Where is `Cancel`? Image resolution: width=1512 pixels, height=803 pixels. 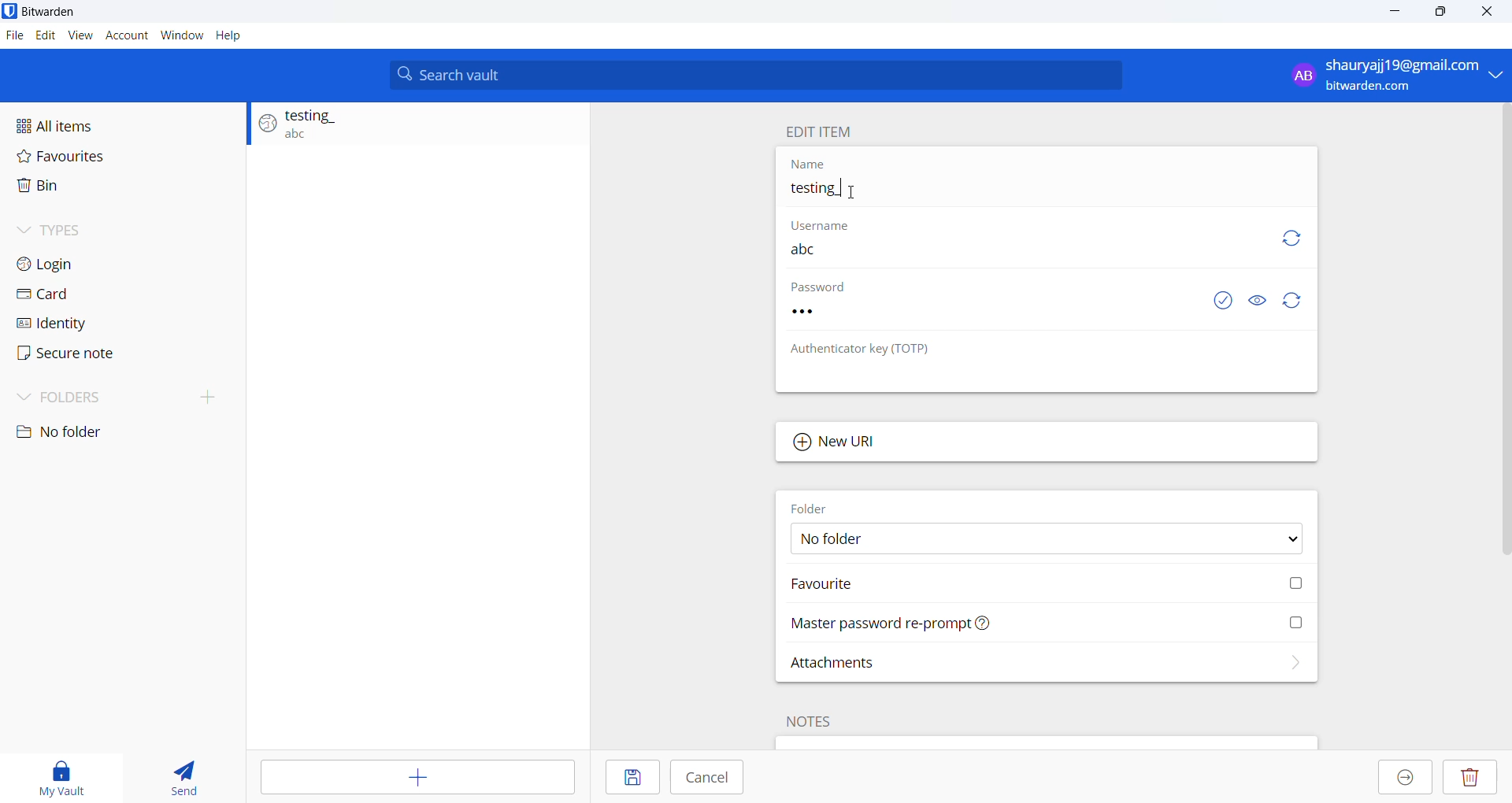 Cancel is located at coordinates (708, 779).